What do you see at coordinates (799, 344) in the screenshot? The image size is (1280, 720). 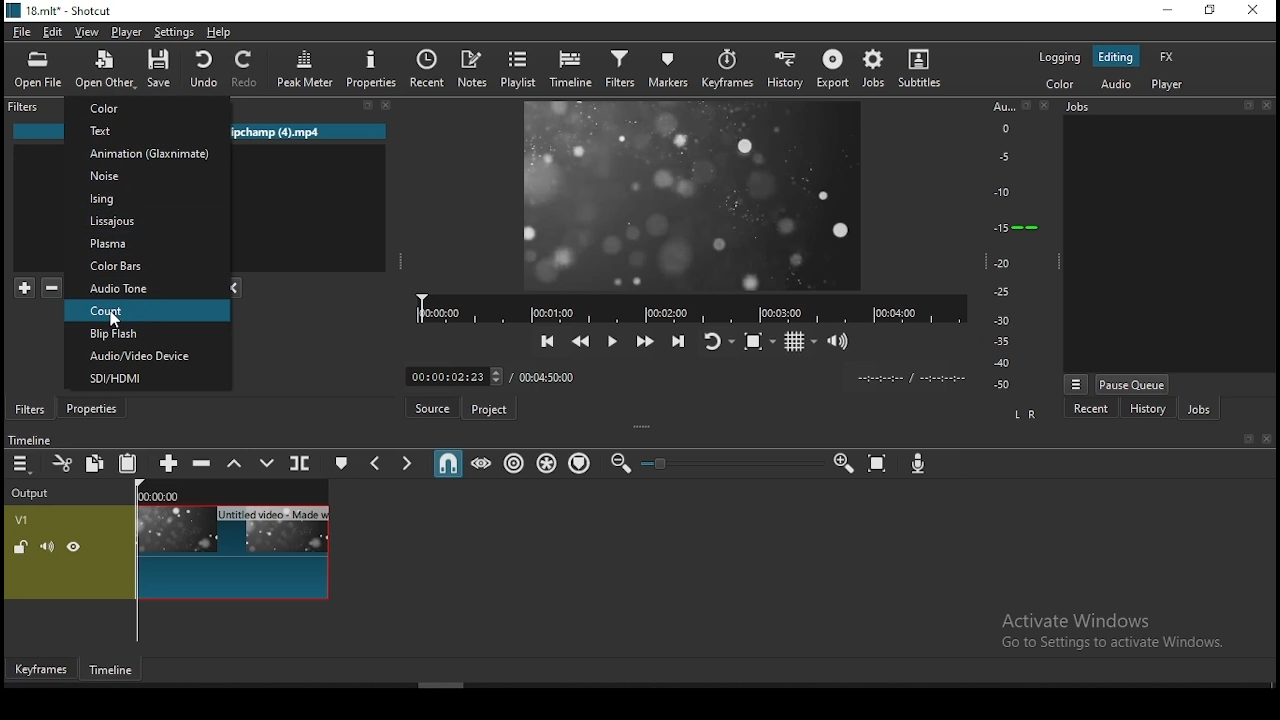 I see `toggle grid display on player` at bounding box center [799, 344].